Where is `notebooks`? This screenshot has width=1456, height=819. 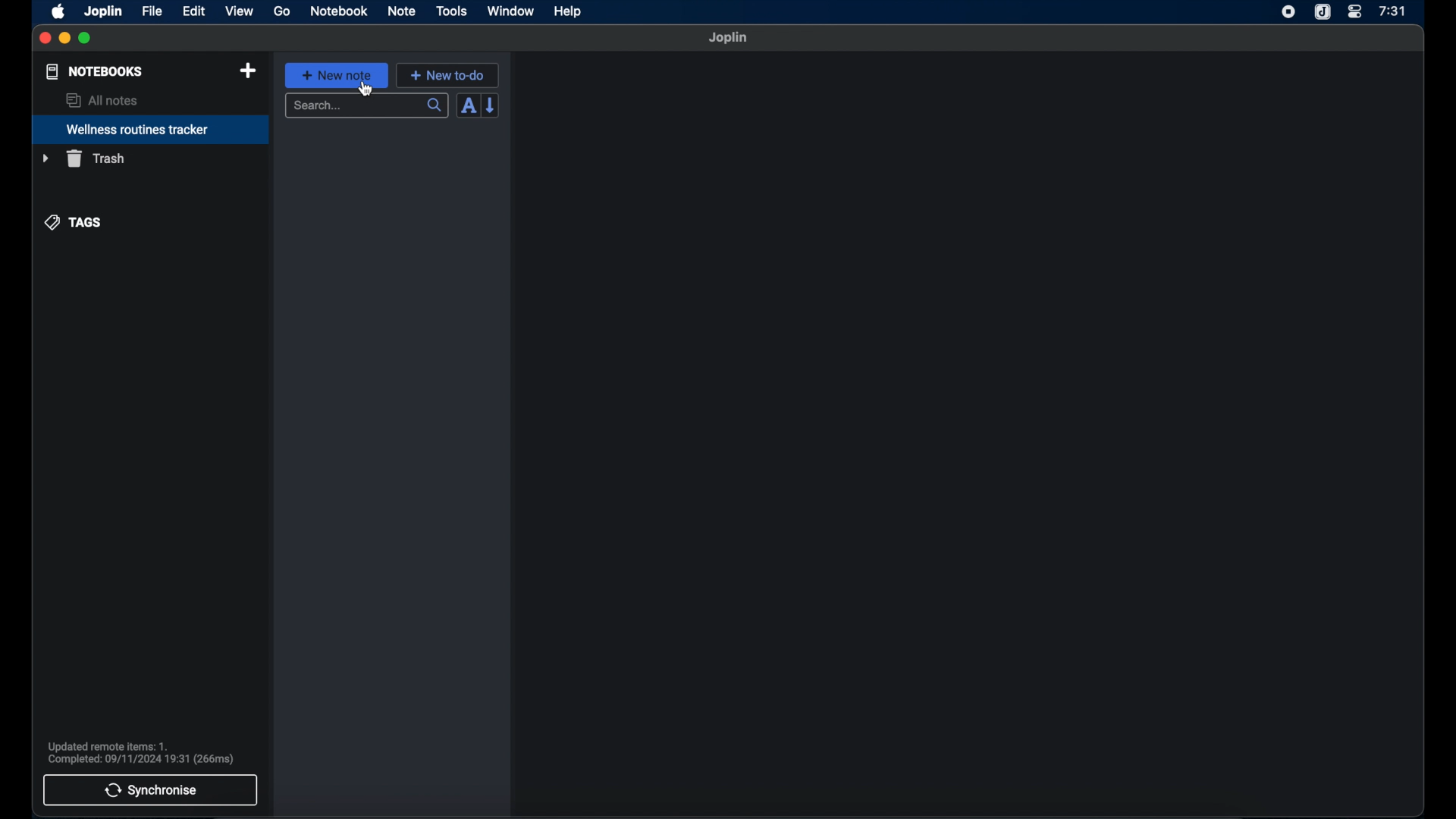 notebooks is located at coordinates (95, 71).